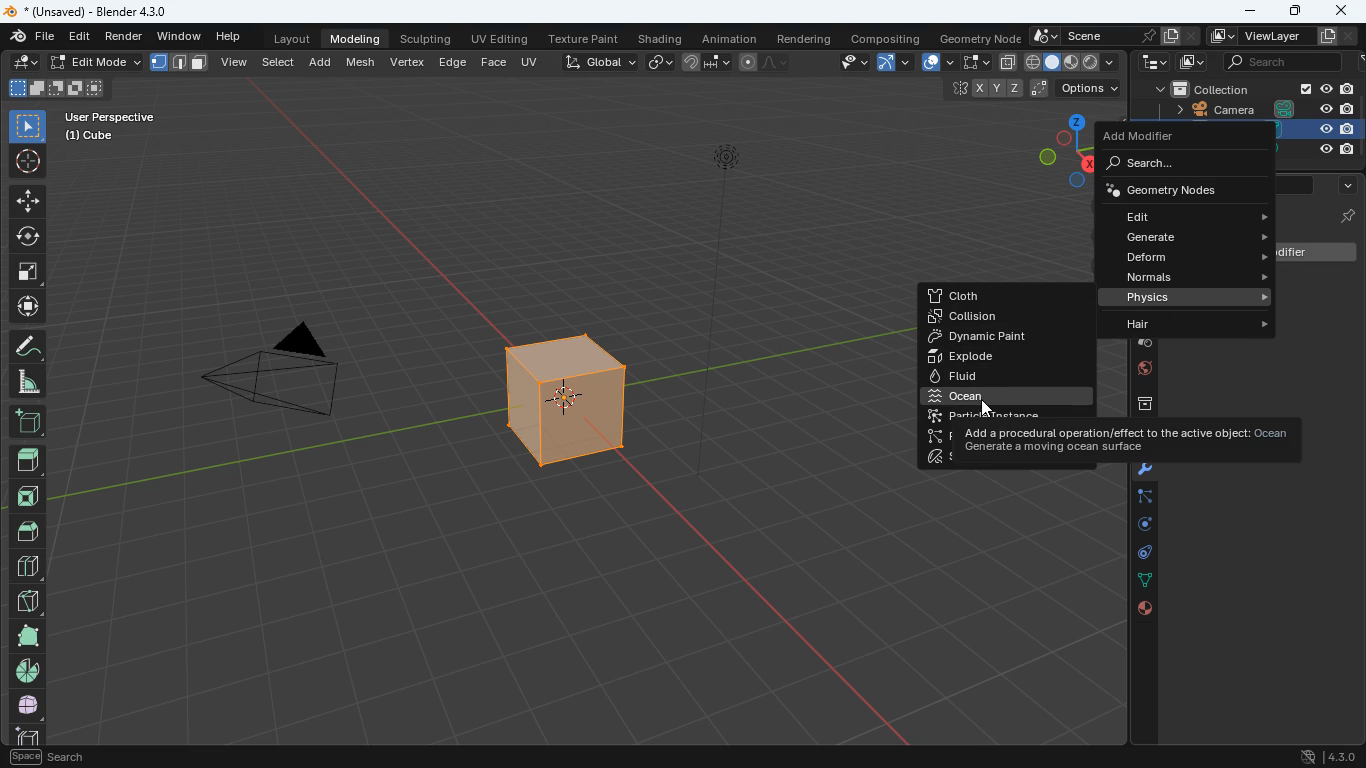  What do you see at coordinates (1135, 471) in the screenshot?
I see `tools` at bounding box center [1135, 471].